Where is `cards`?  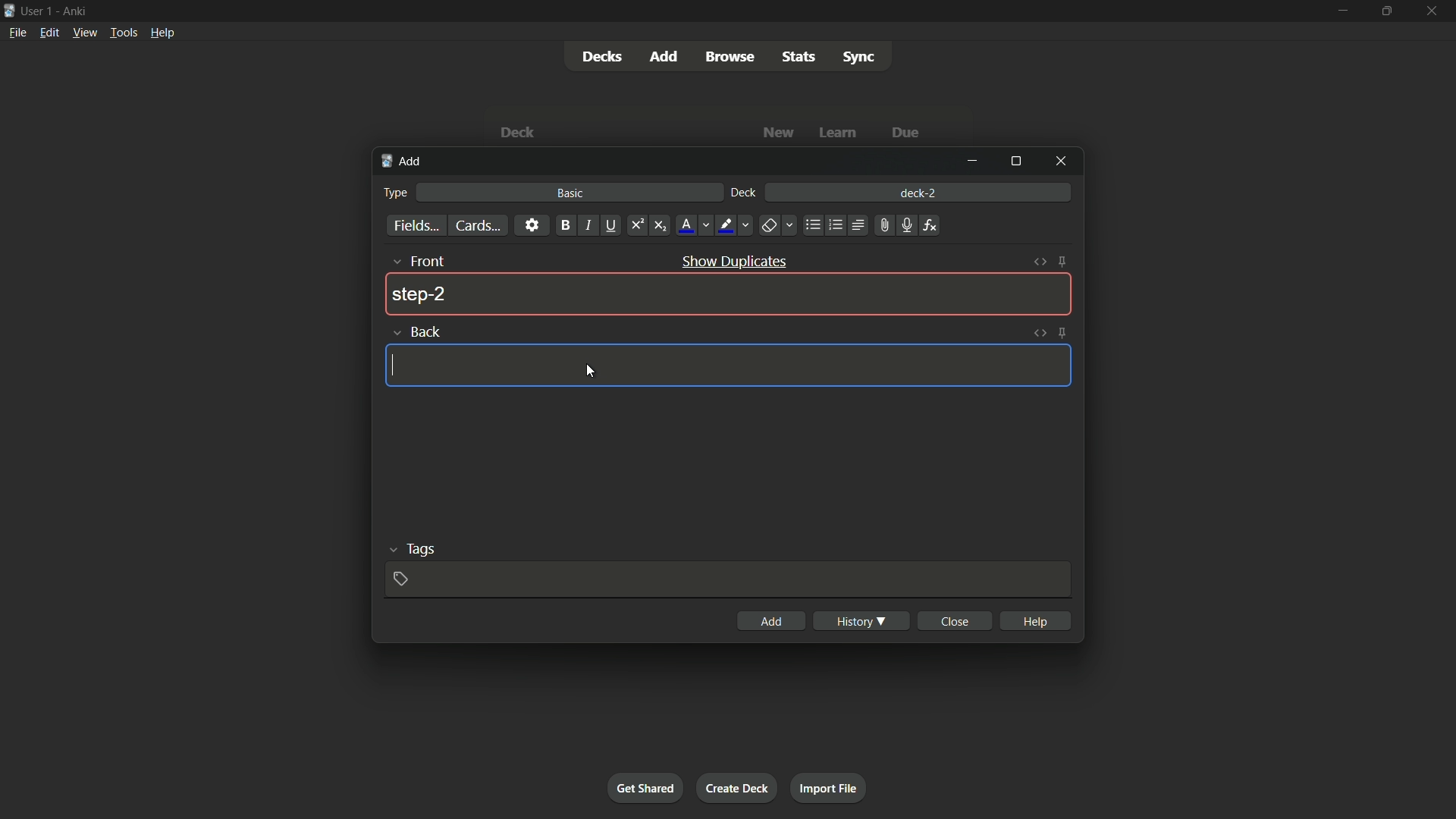
cards is located at coordinates (479, 225).